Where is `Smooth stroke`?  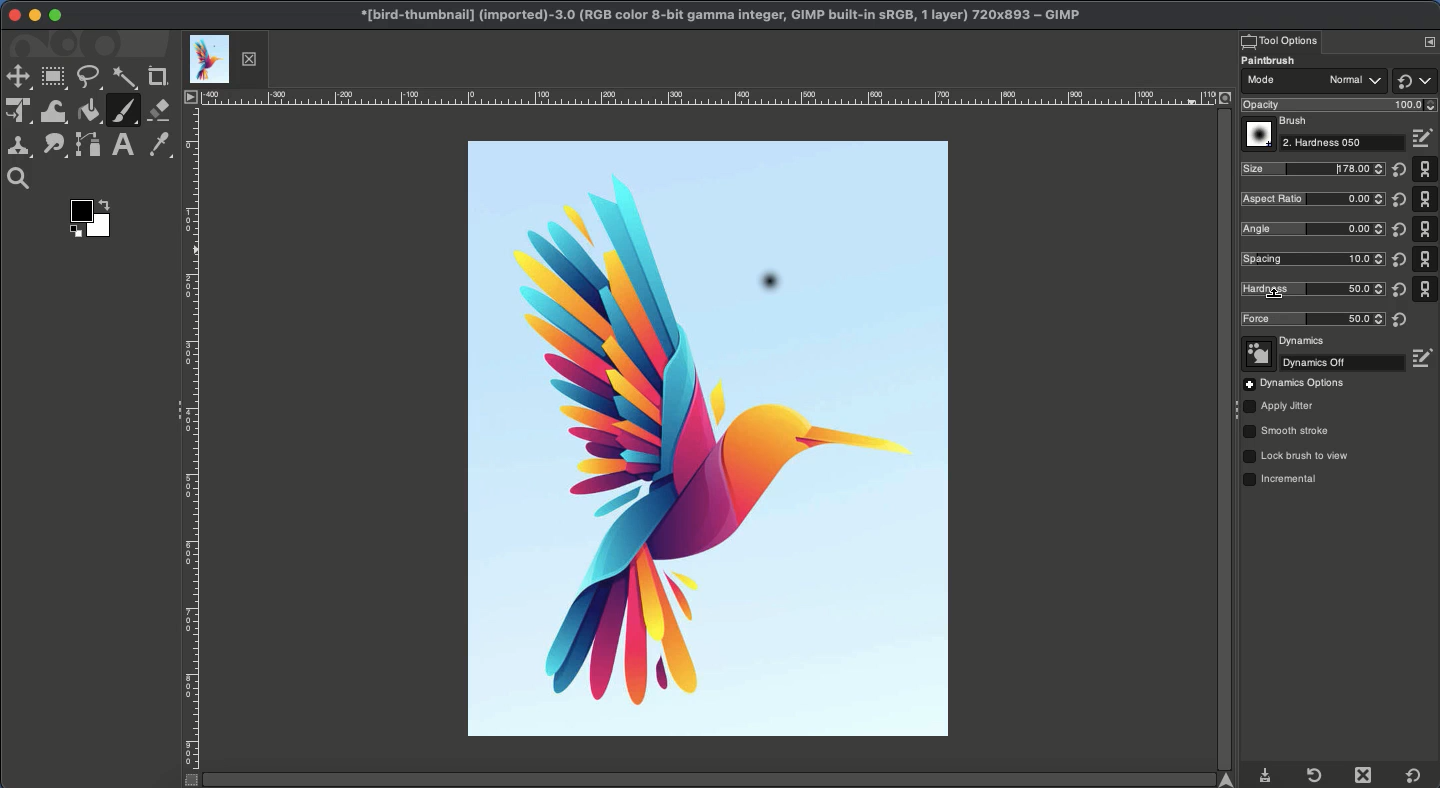 Smooth stroke is located at coordinates (1287, 432).